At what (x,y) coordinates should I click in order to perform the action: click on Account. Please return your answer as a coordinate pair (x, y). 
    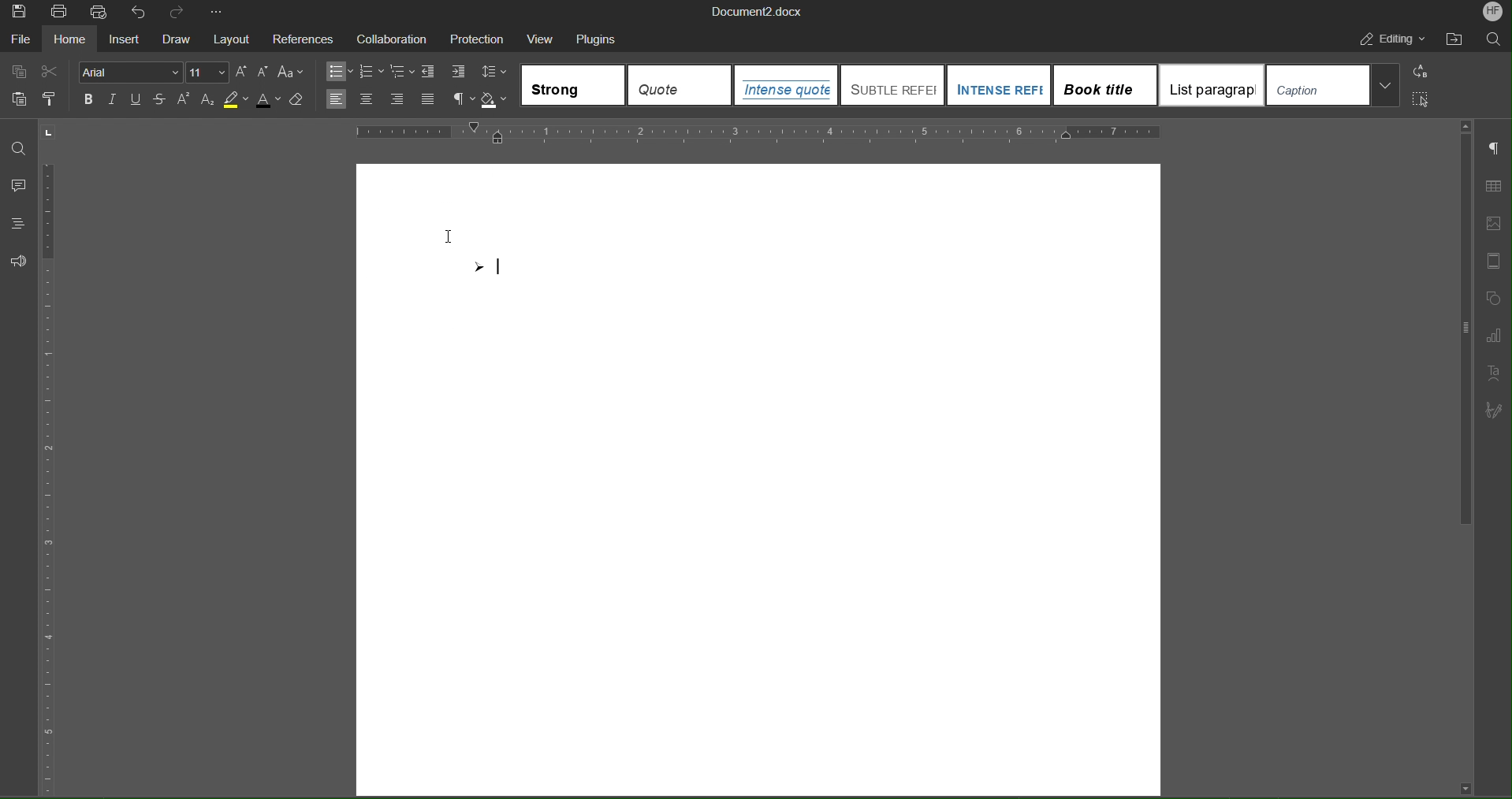
    Looking at the image, I should click on (1494, 12).